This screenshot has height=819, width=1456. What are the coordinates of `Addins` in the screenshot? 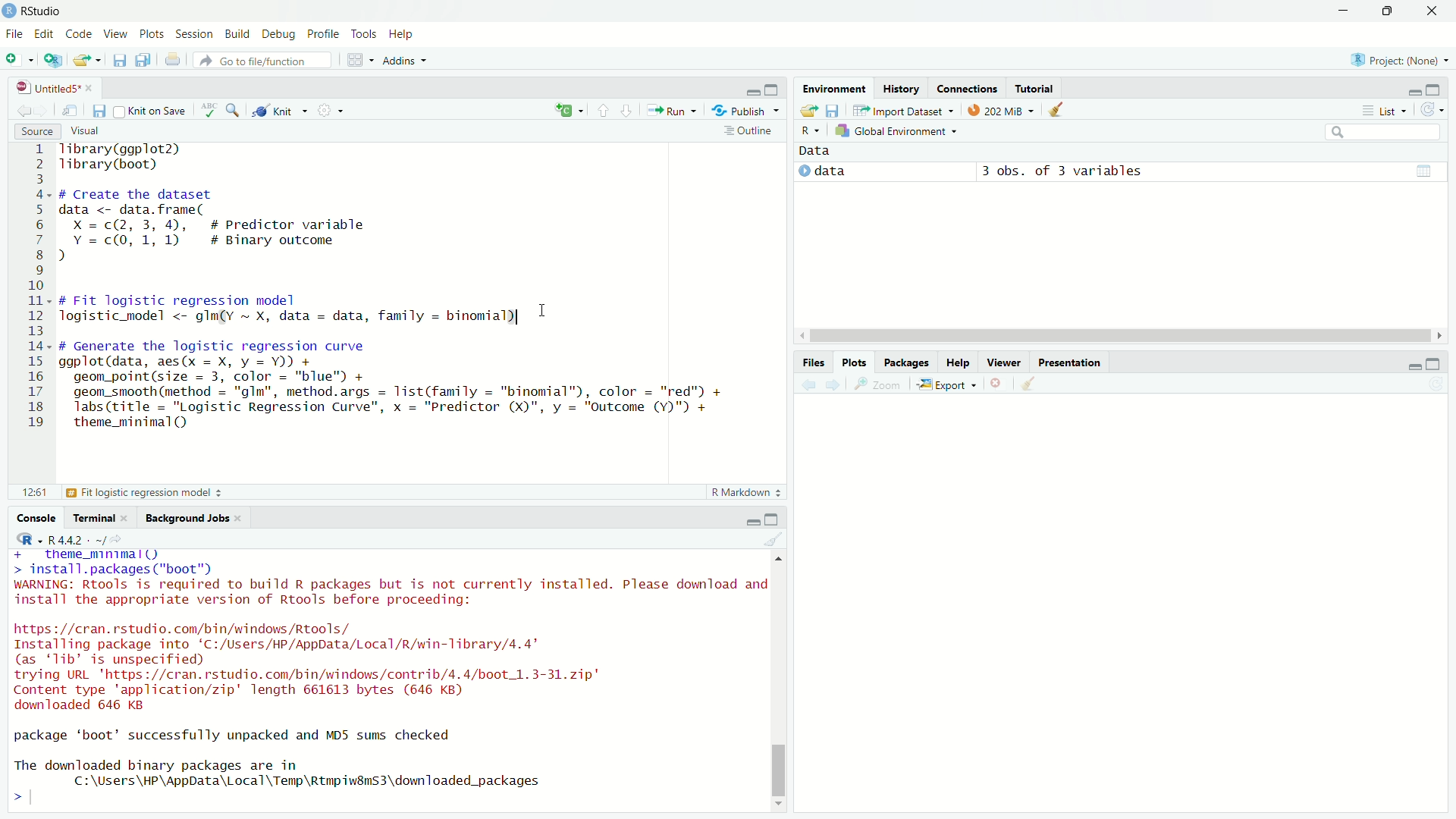 It's located at (406, 60).